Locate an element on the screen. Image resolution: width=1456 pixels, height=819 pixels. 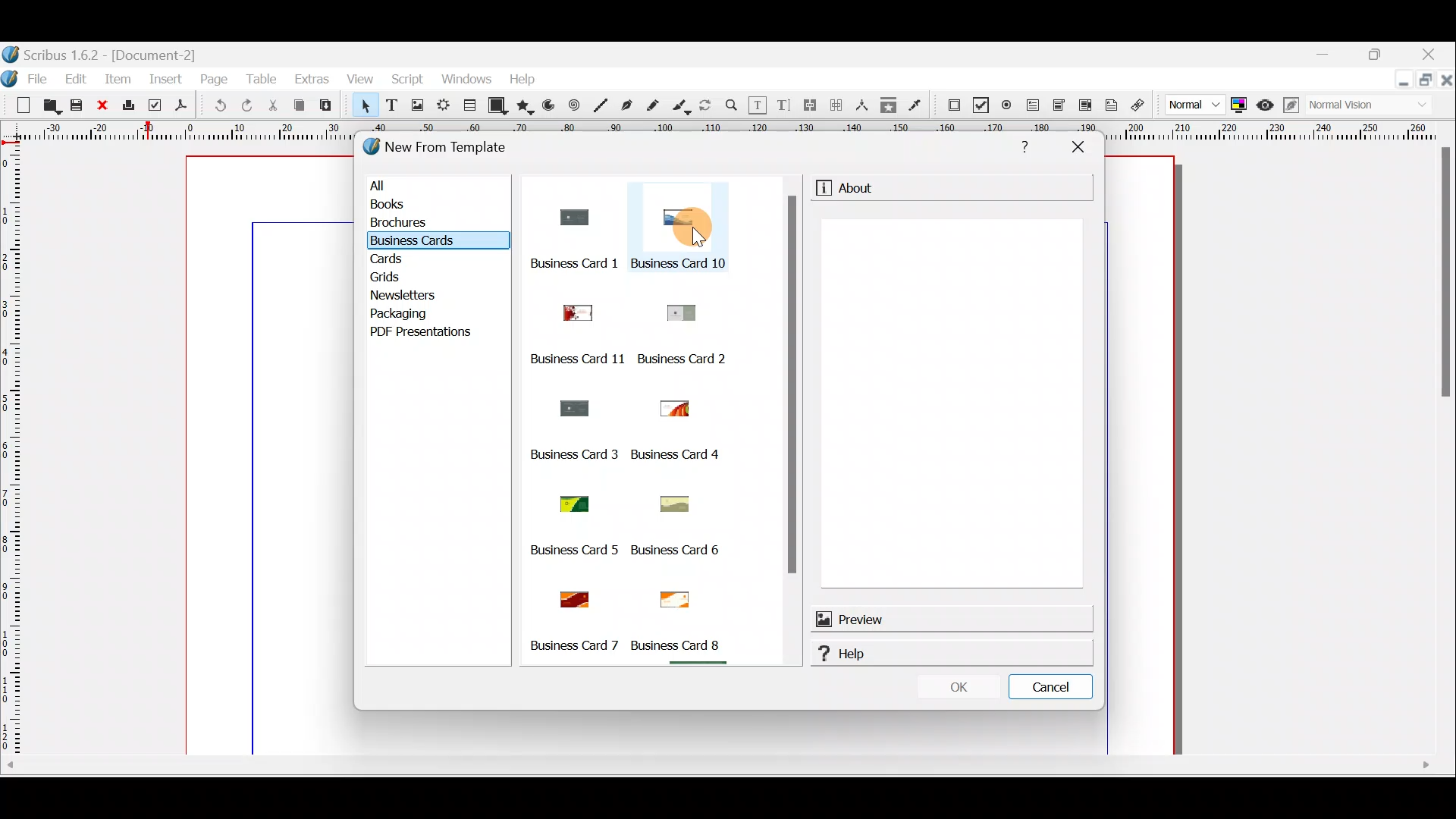
help logo is located at coordinates (819, 654).